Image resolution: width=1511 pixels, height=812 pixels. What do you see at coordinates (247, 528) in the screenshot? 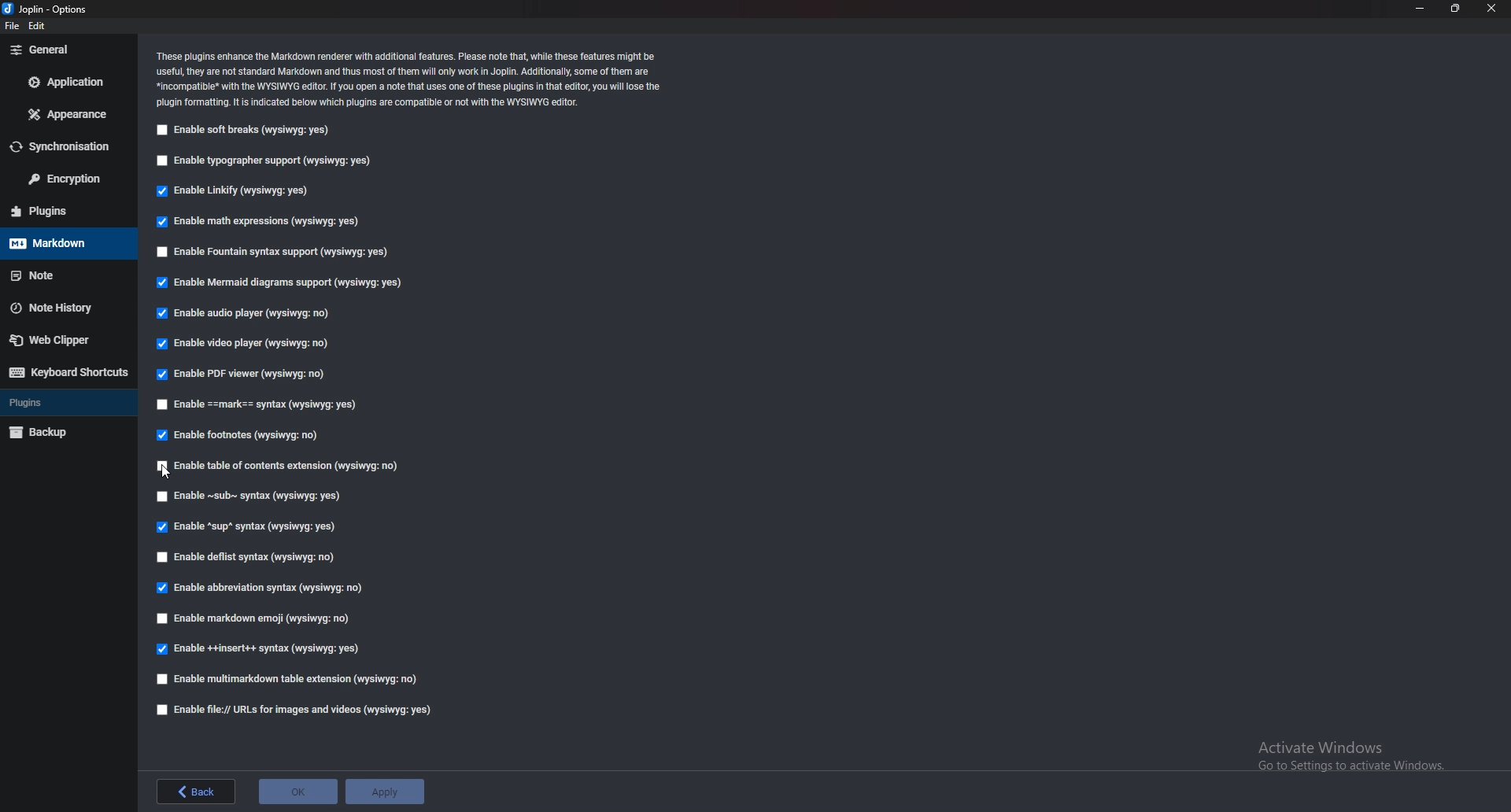
I see `Enable sup syntax` at bounding box center [247, 528].